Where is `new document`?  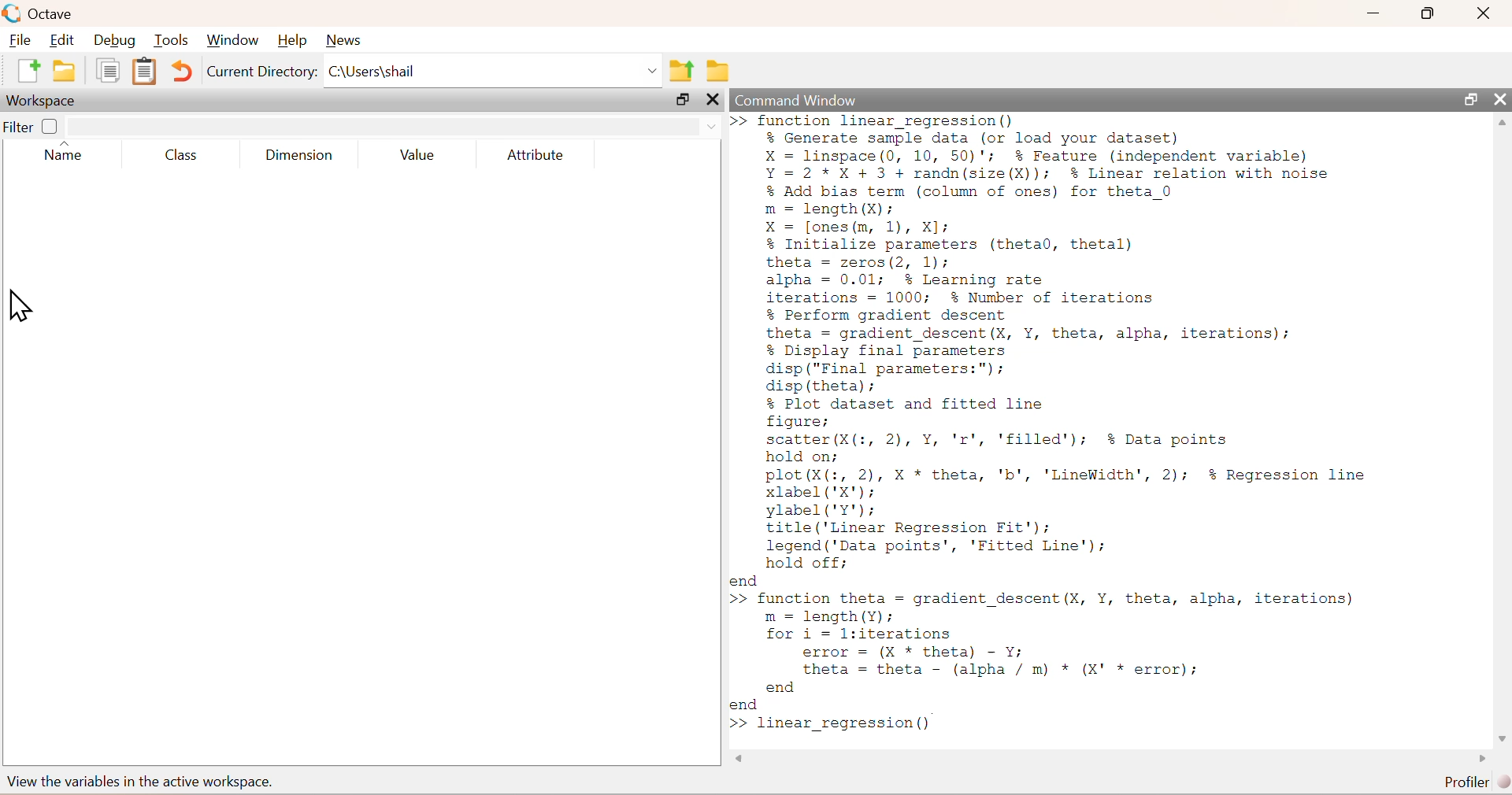 new document is located at coordinates (28, 72).